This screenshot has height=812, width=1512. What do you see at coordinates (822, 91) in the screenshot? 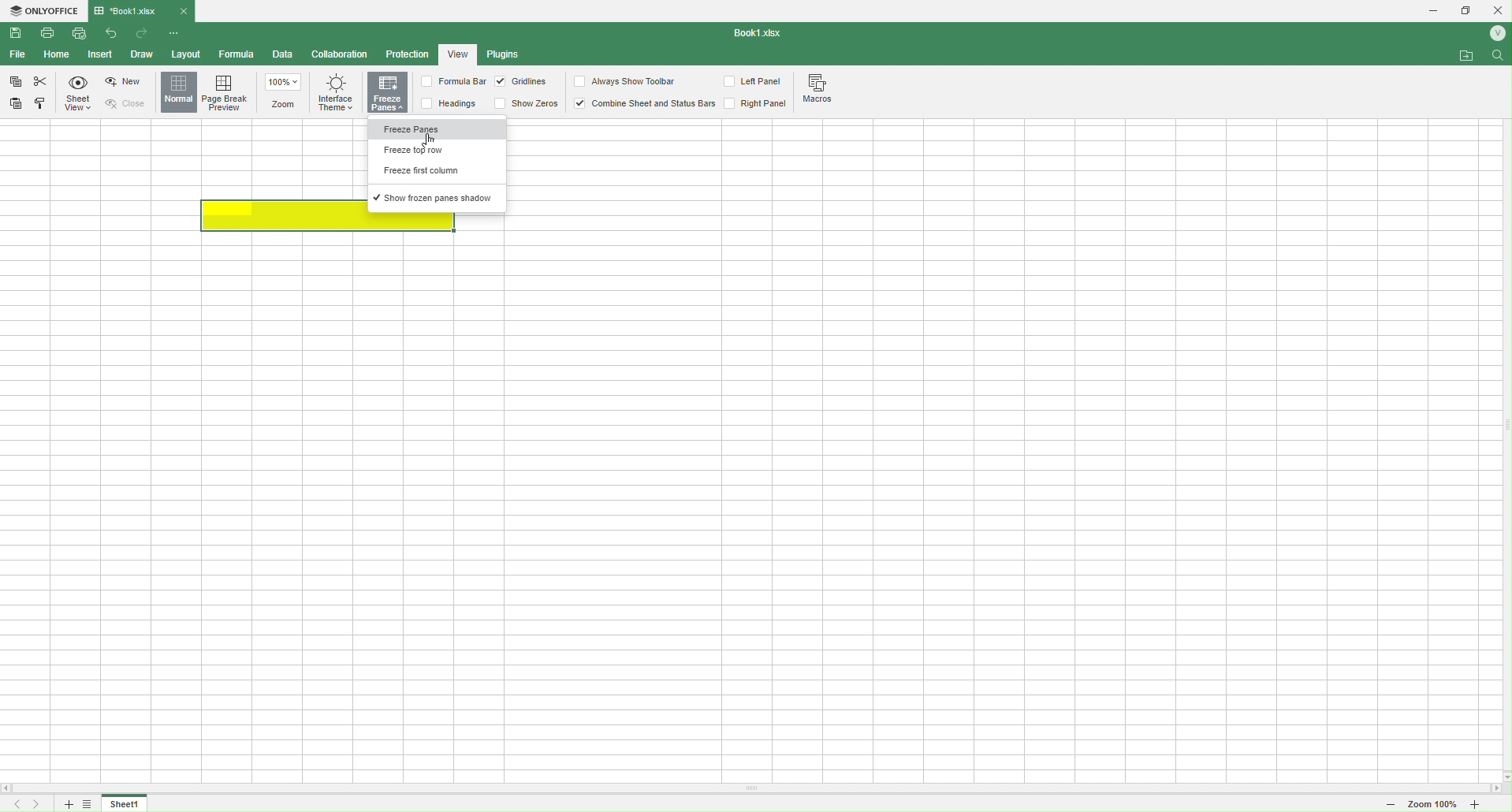
I see `Macros` at bounding box center [822, 91].